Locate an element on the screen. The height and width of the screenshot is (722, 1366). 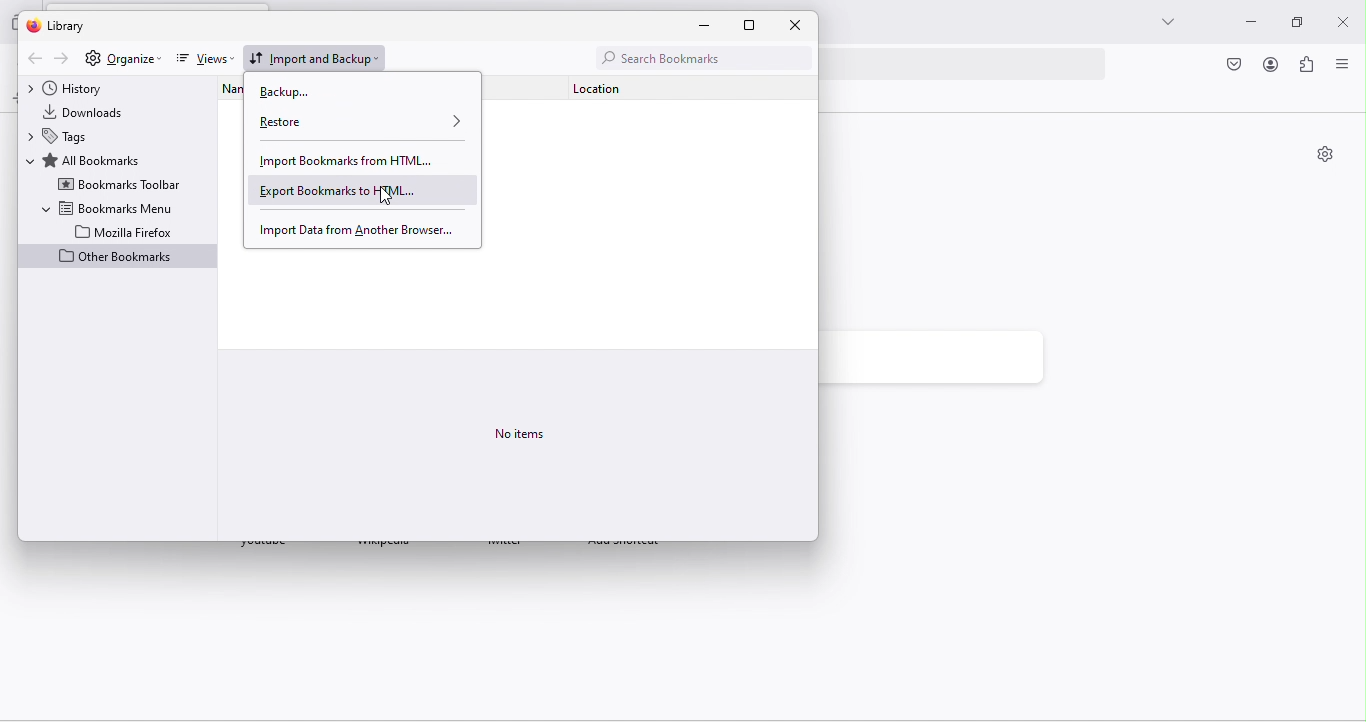
history is located at coordinates (79, 87).